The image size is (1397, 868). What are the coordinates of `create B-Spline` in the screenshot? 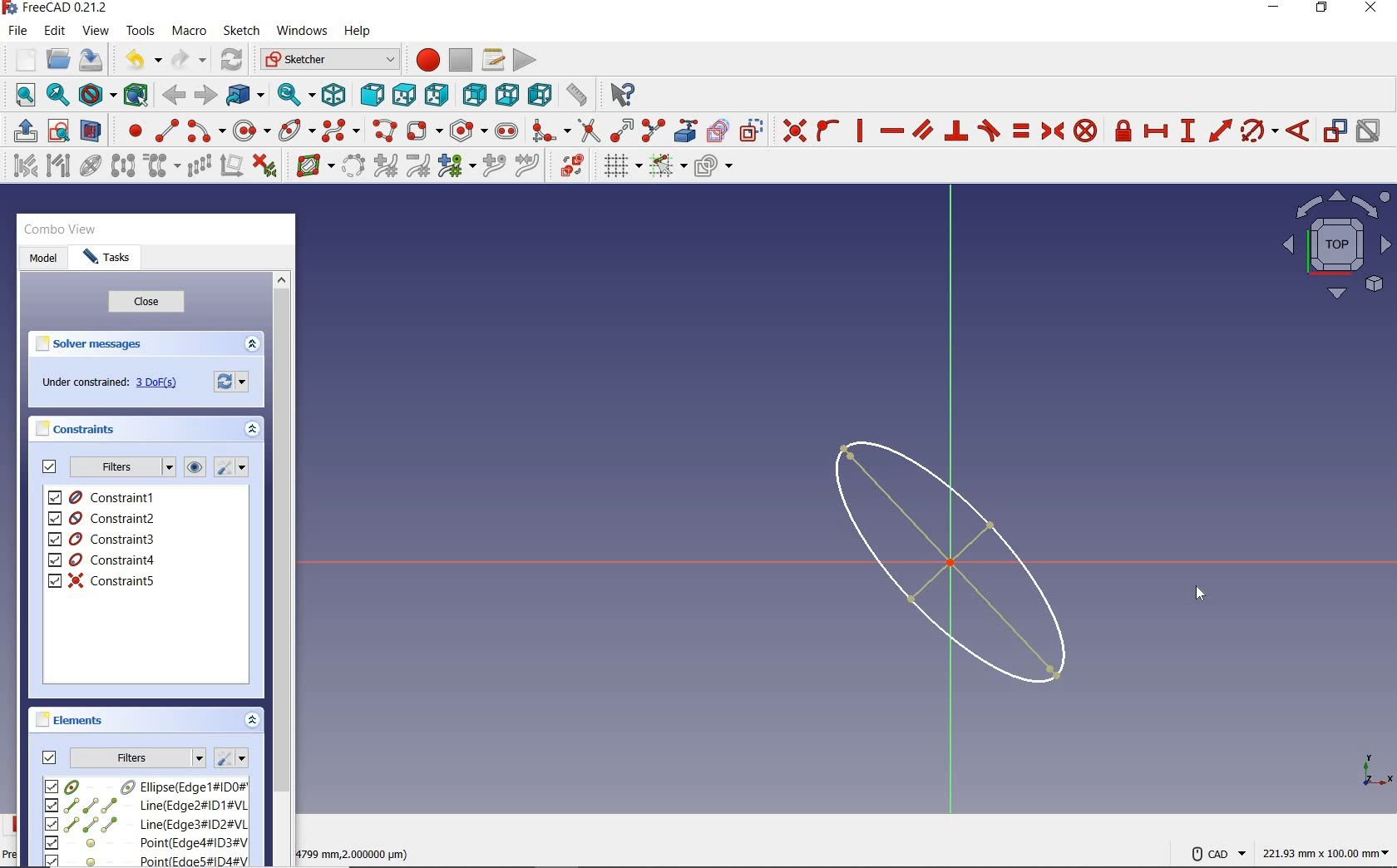 It's located at (340, 130).